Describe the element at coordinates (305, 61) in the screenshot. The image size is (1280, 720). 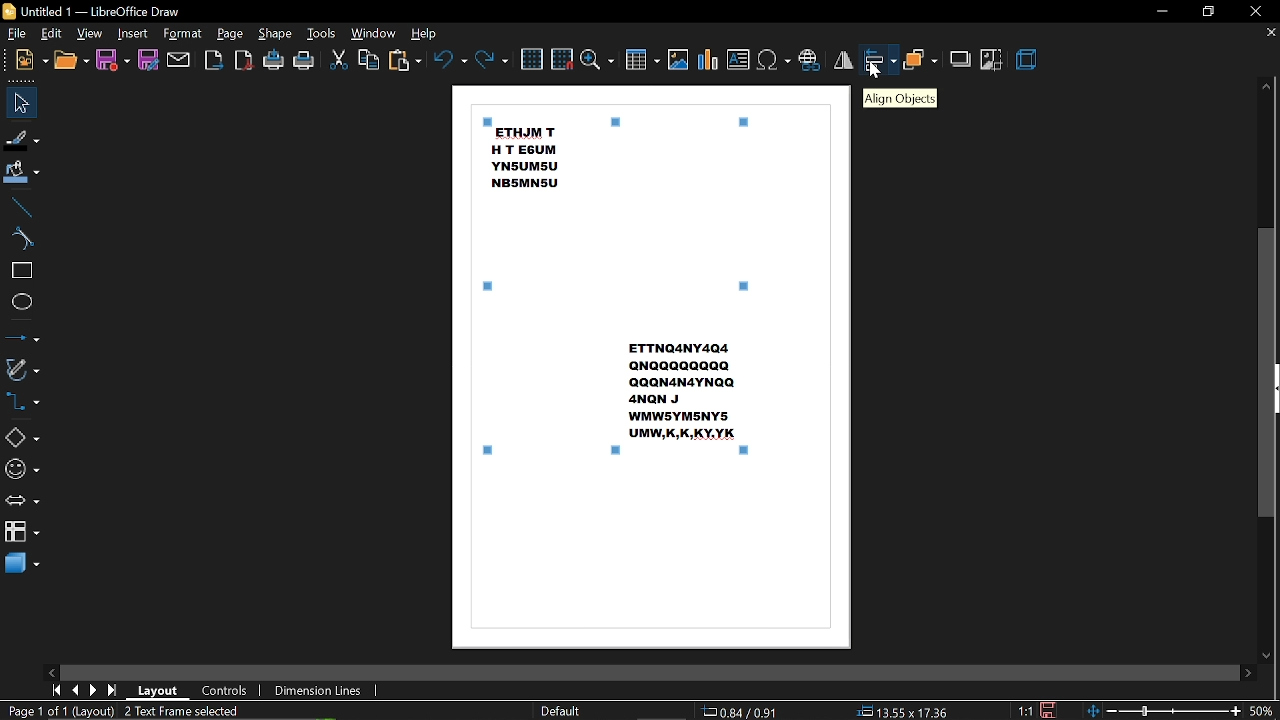
I see `print` at that location.